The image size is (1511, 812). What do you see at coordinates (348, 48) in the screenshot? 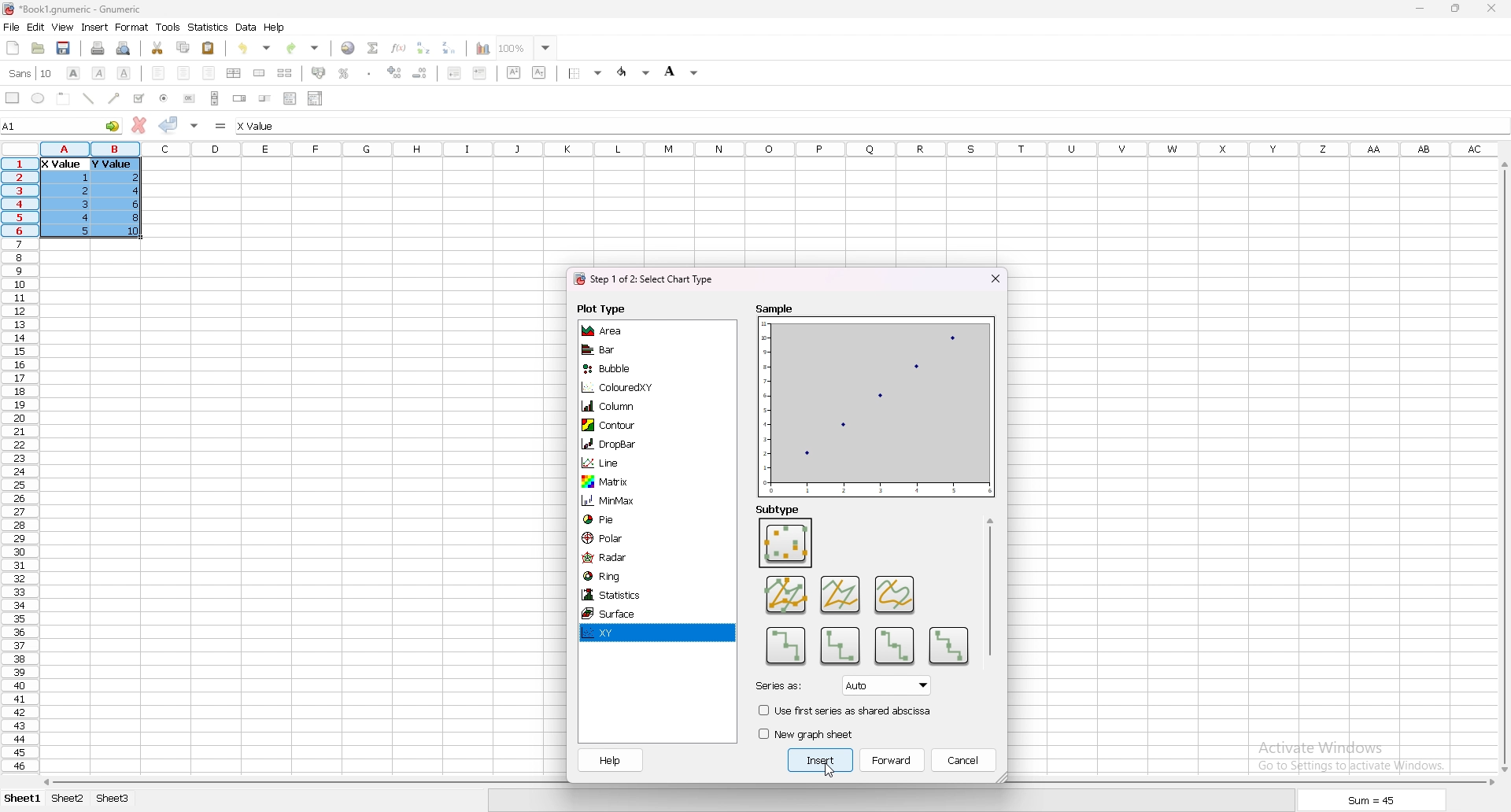
I see `hyperlink` at bounding box center [348, 48].